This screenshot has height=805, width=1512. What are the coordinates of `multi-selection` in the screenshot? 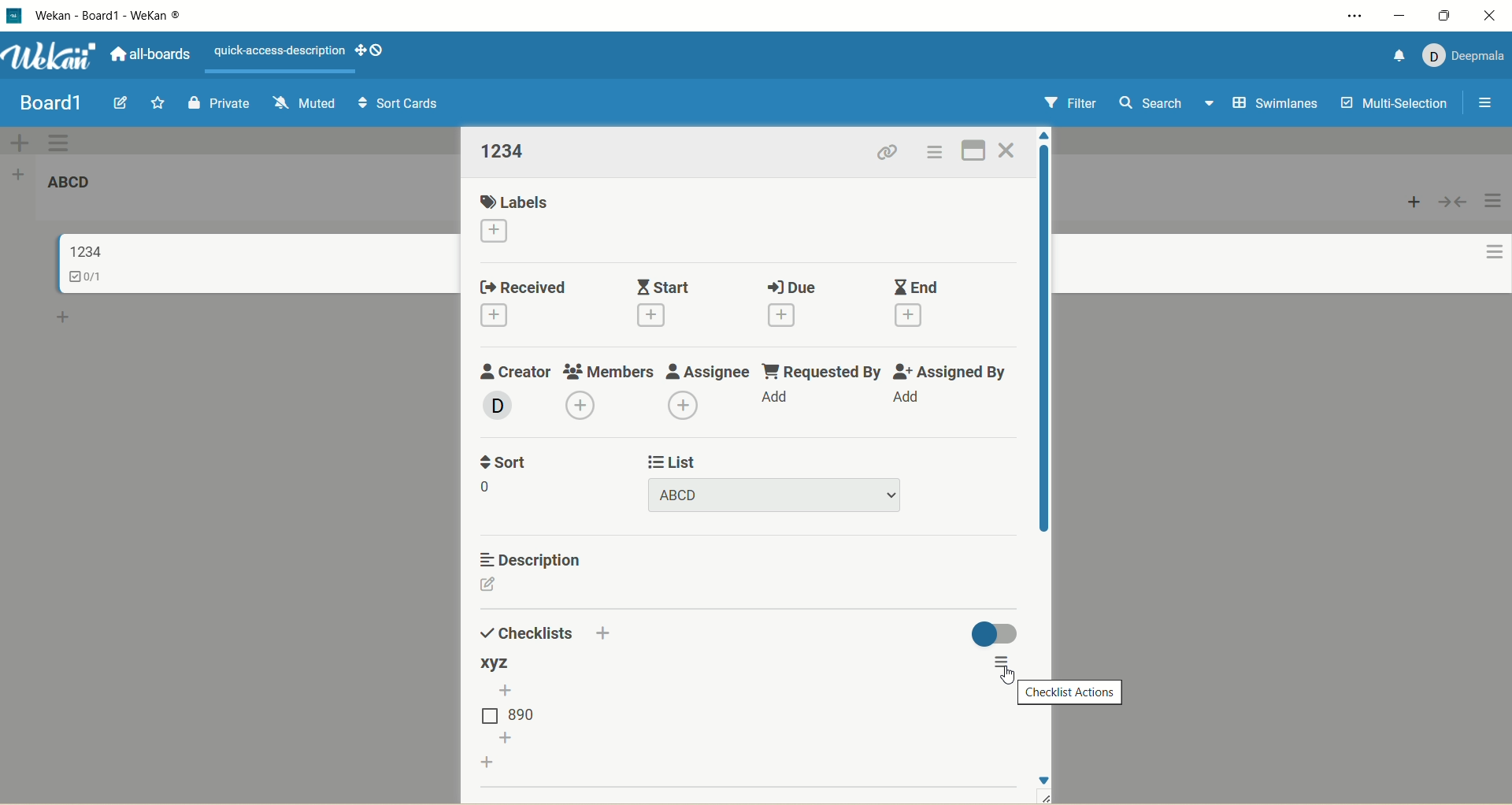 It's located at (1392, 105).